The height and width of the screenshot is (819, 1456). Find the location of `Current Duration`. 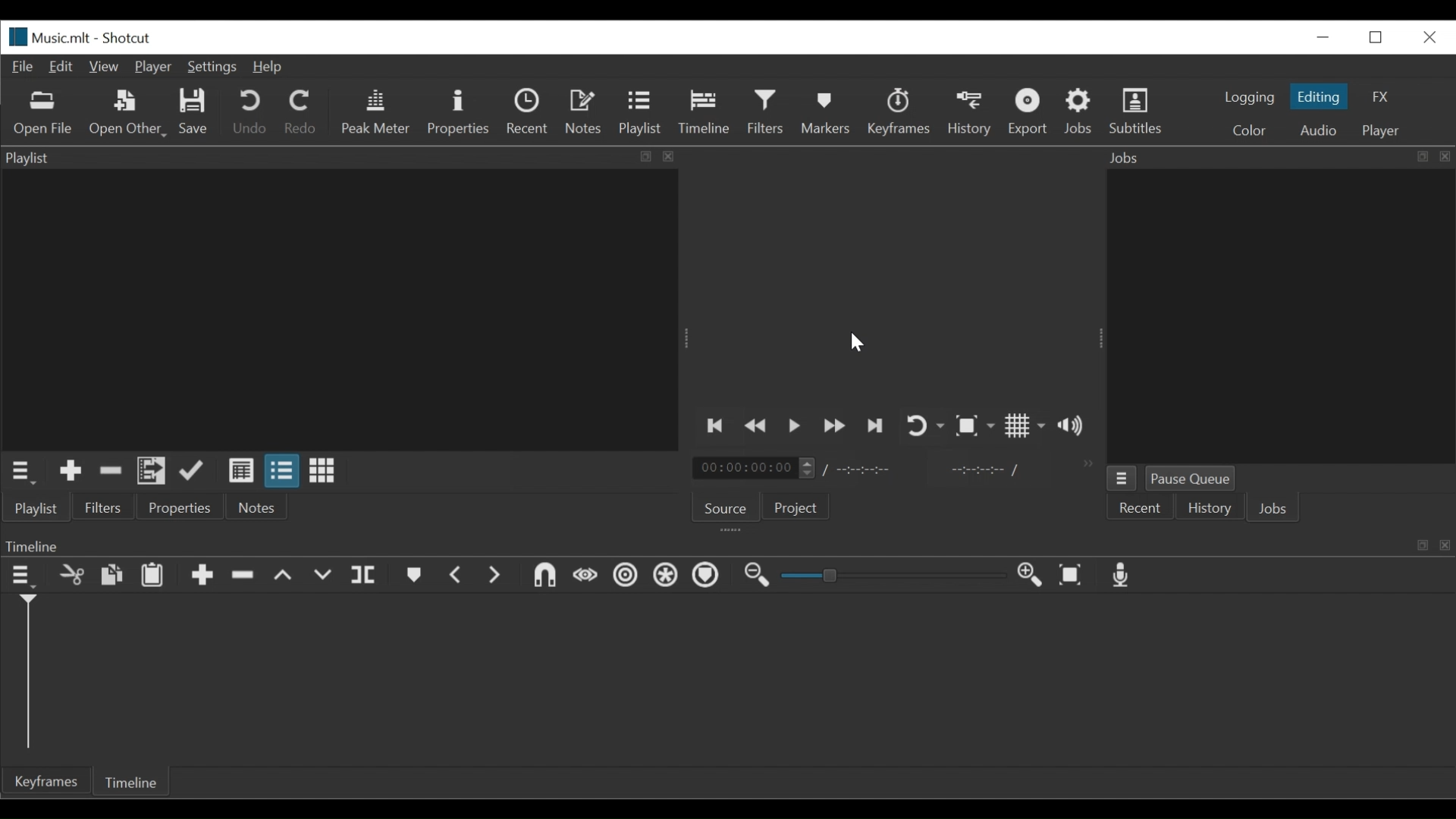

Current Duration is located at coordinates (756, 469).